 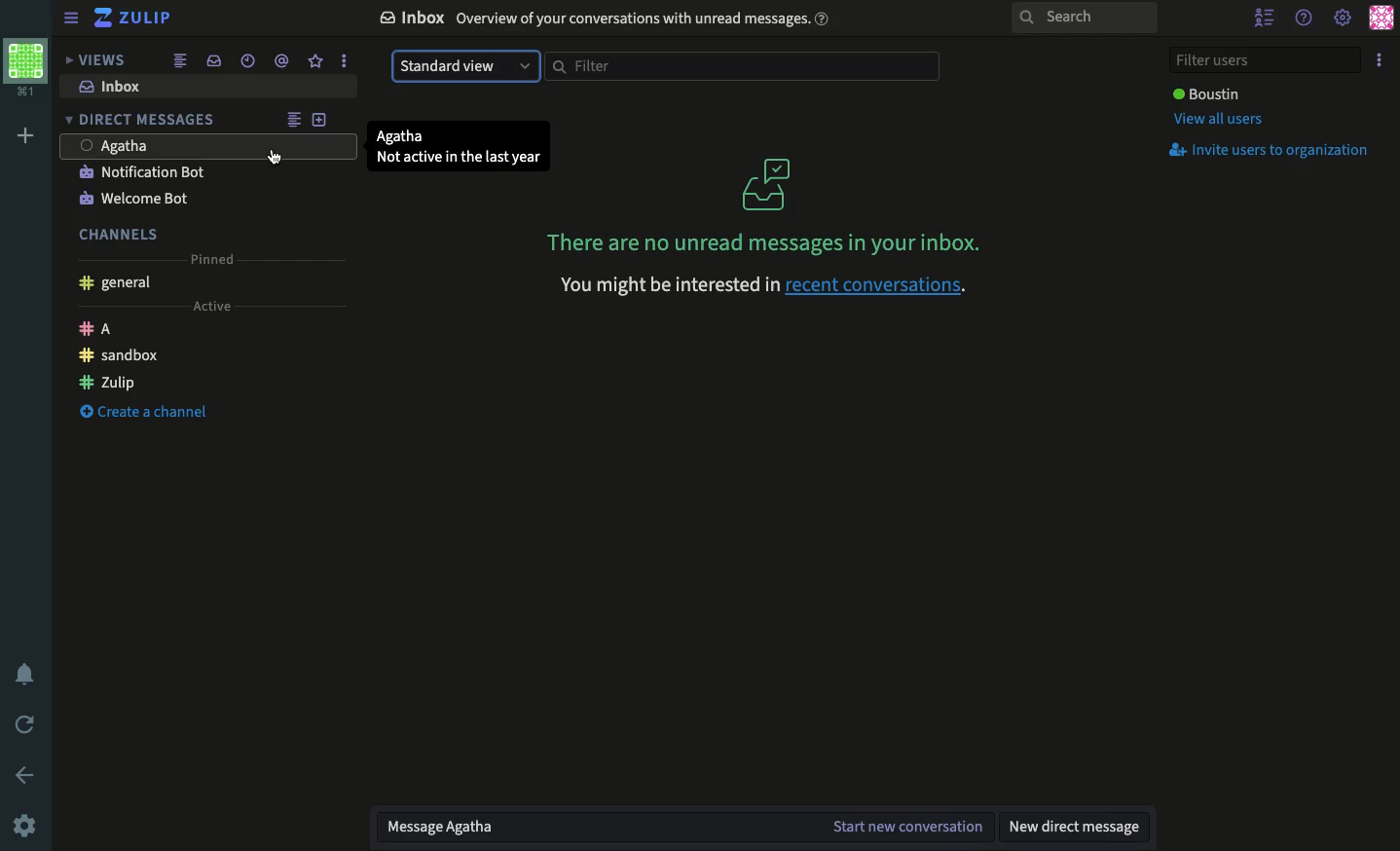 I want to click on Feed, so click(x=293, y=119).